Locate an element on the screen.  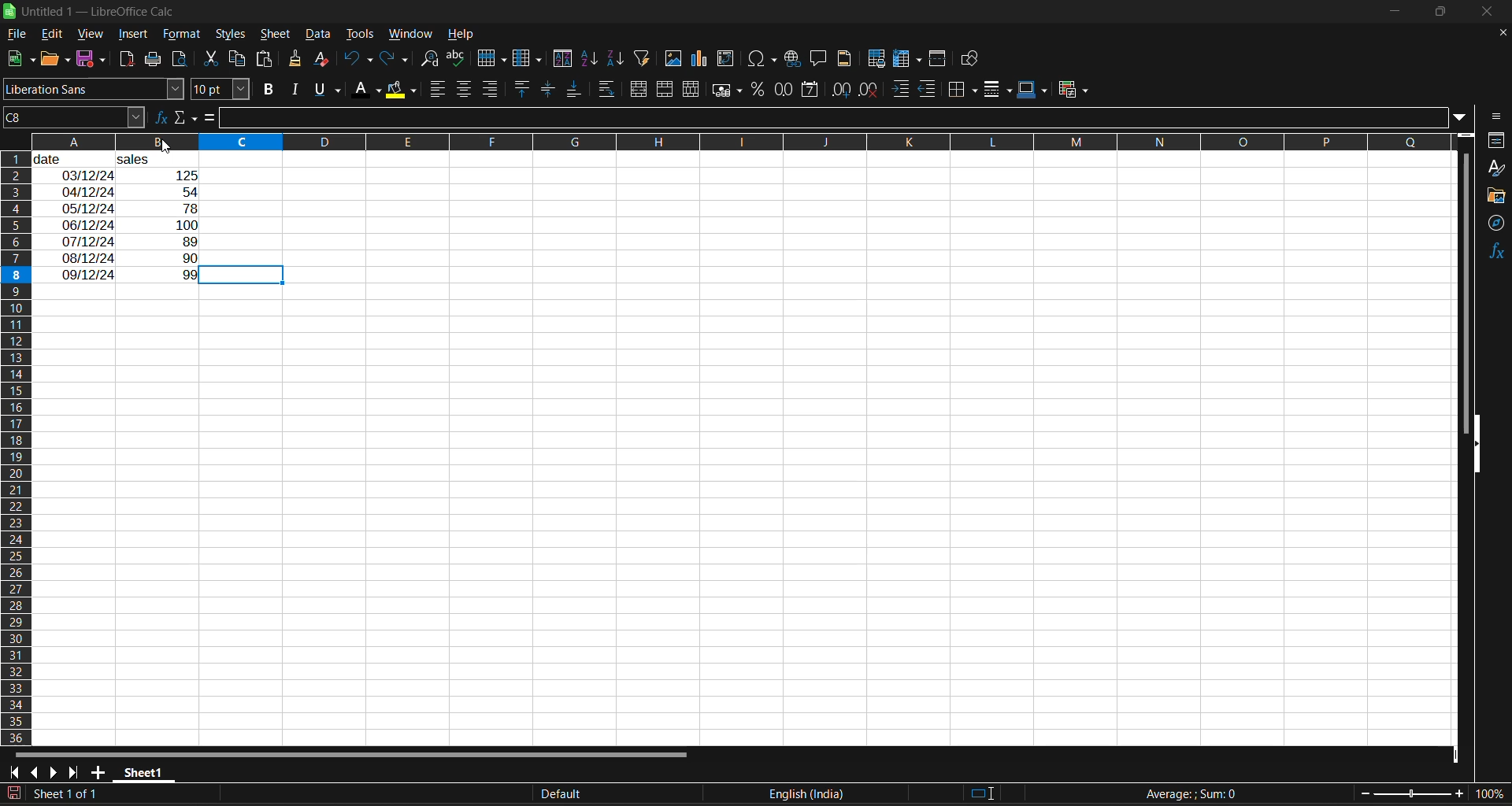
format as currency is located at coordinates (727, 93).